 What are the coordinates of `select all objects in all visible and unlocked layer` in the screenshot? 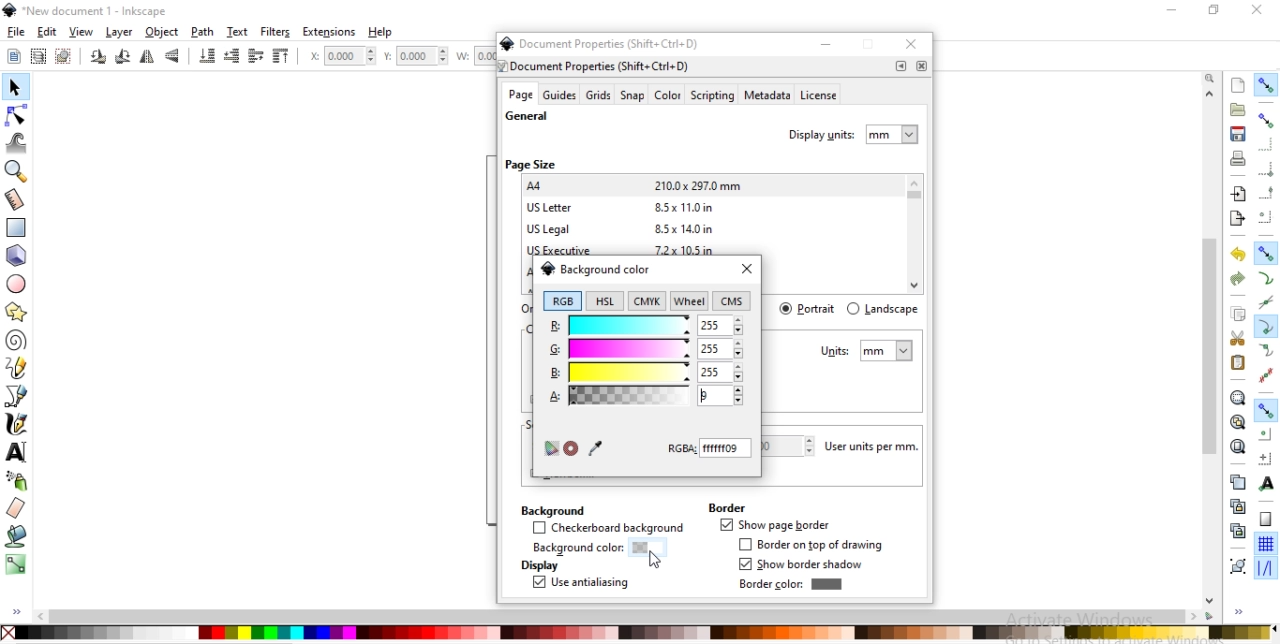 It's located at (34, 55).